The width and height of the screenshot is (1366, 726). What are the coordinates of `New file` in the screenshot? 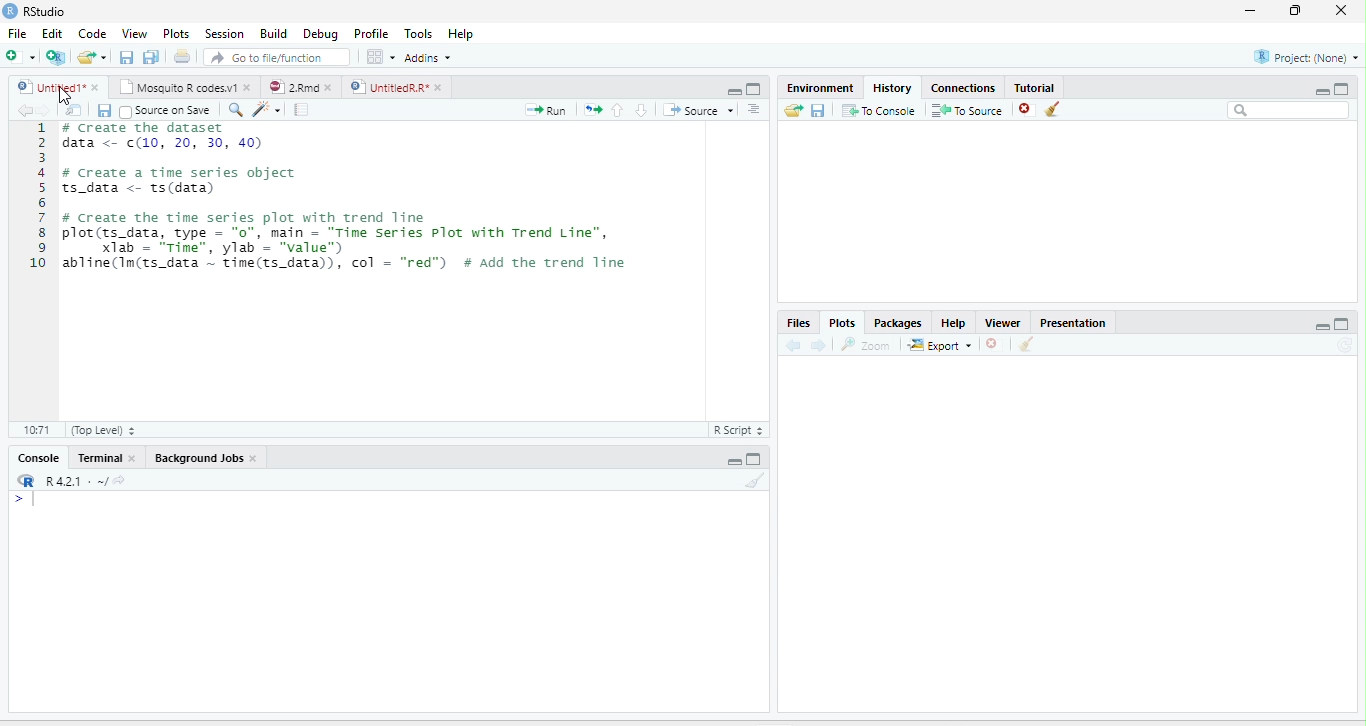 It's located at (19, 56).